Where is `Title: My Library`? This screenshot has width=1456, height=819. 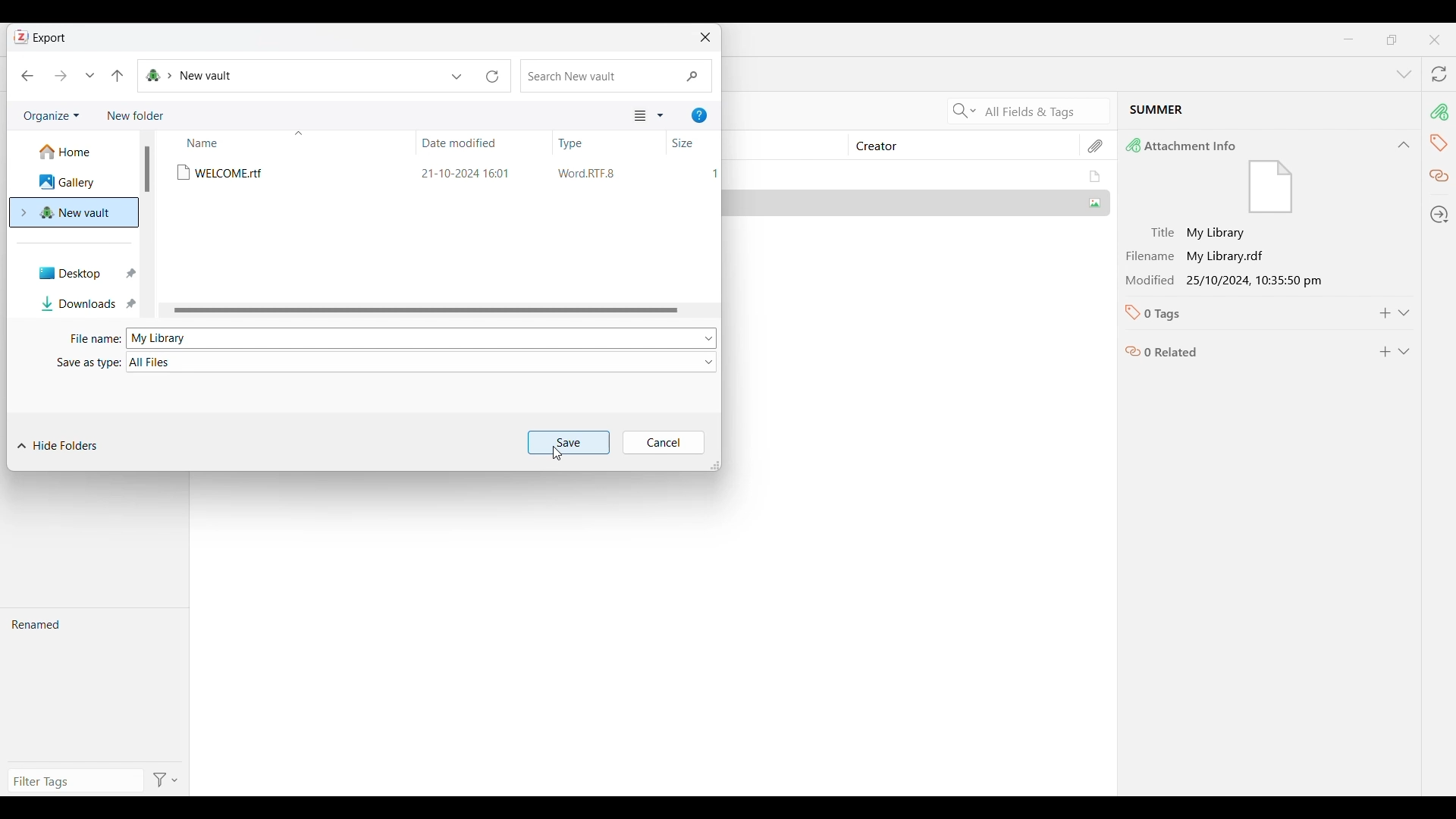
Title: My Library is located at coordinates (1241, 234).